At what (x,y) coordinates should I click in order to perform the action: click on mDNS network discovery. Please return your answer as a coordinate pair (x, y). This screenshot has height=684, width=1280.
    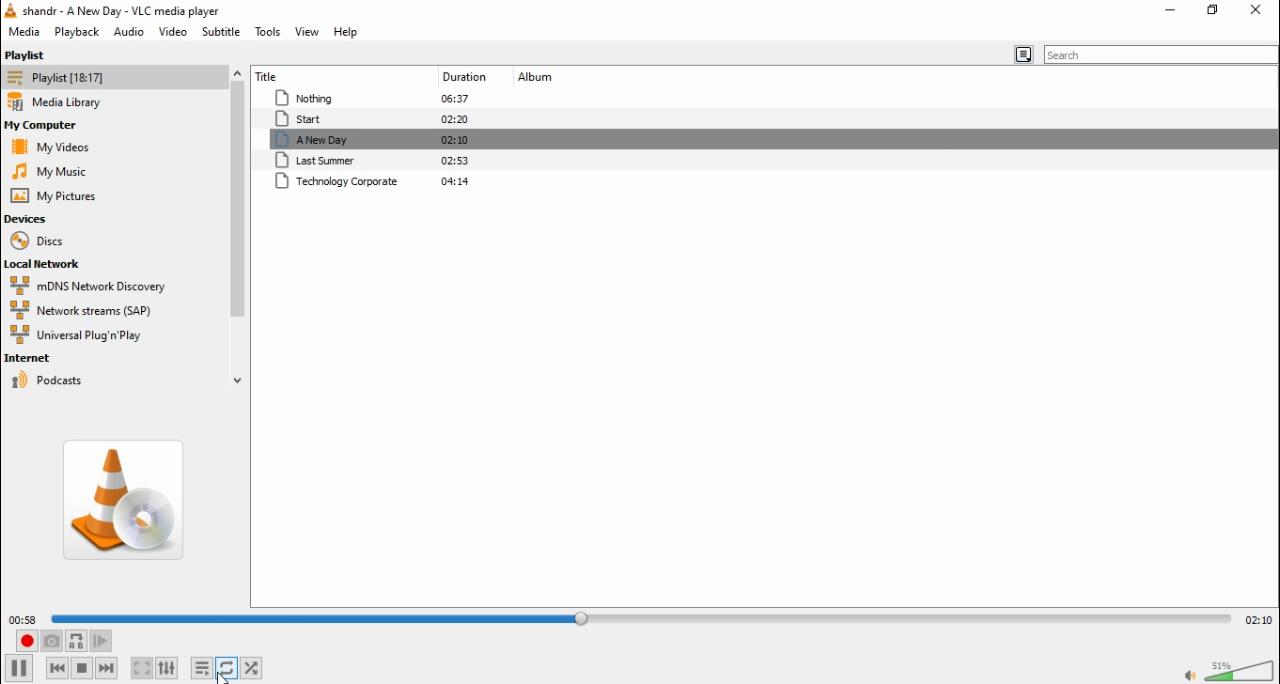
    Looking at the image, I should click on (97, 286).